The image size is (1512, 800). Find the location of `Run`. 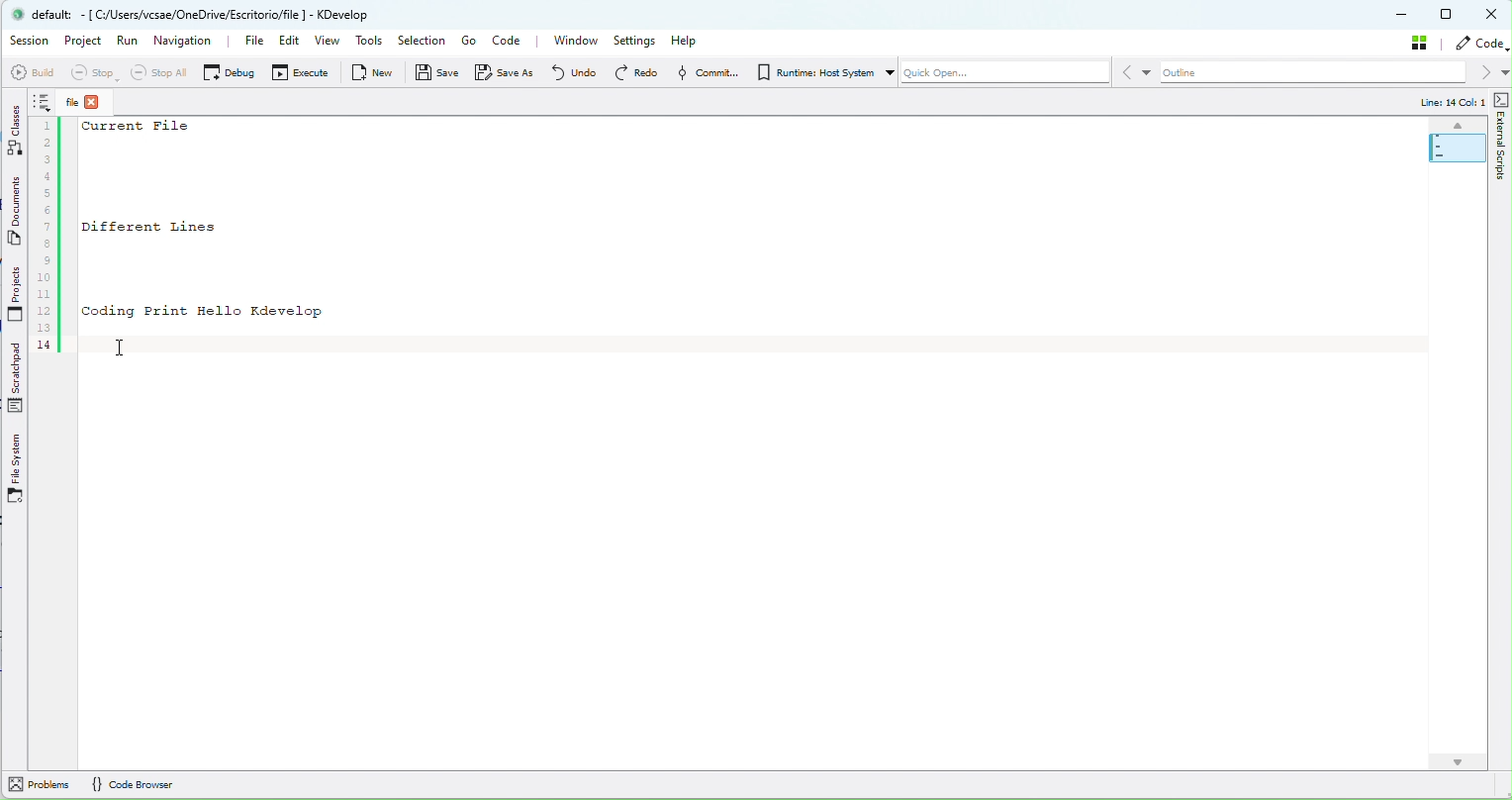

Run is located at coordinates (128, 46).